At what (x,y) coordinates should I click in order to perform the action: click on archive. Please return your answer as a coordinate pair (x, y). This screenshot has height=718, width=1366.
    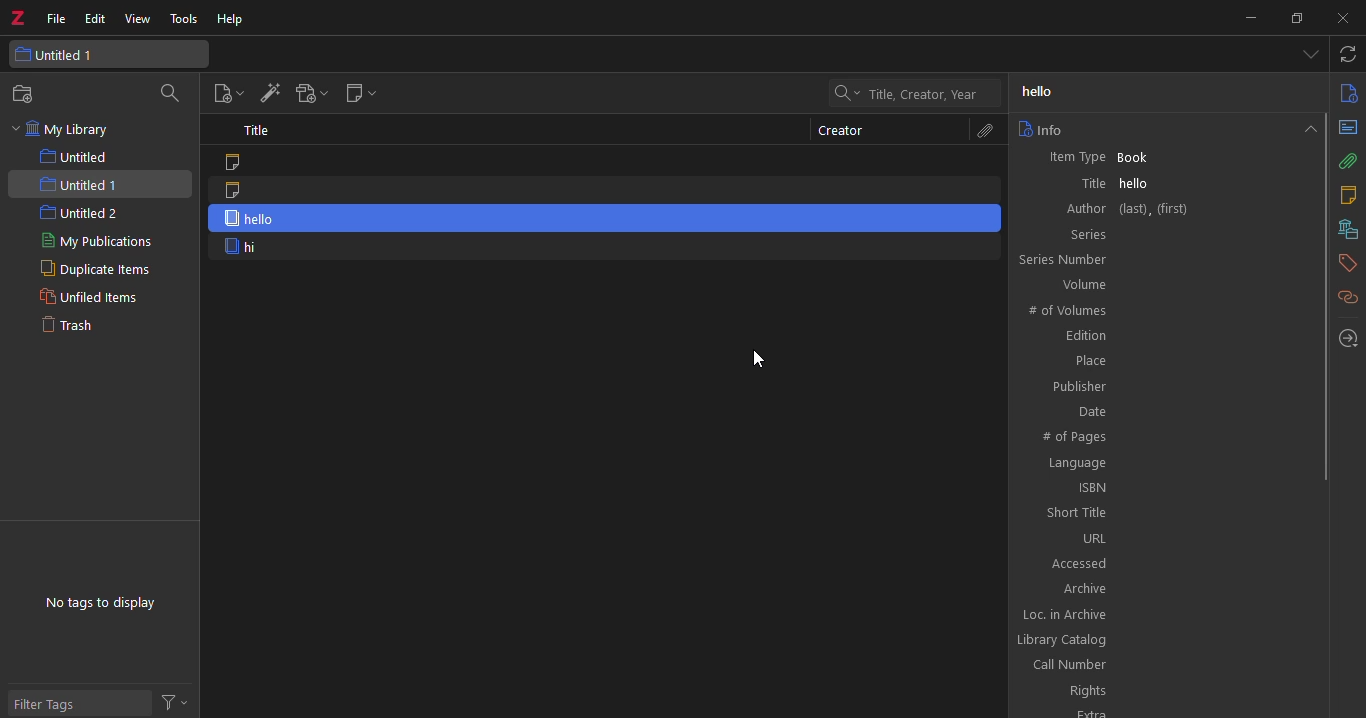
    Looking at the image, I should click on (1166, 587).